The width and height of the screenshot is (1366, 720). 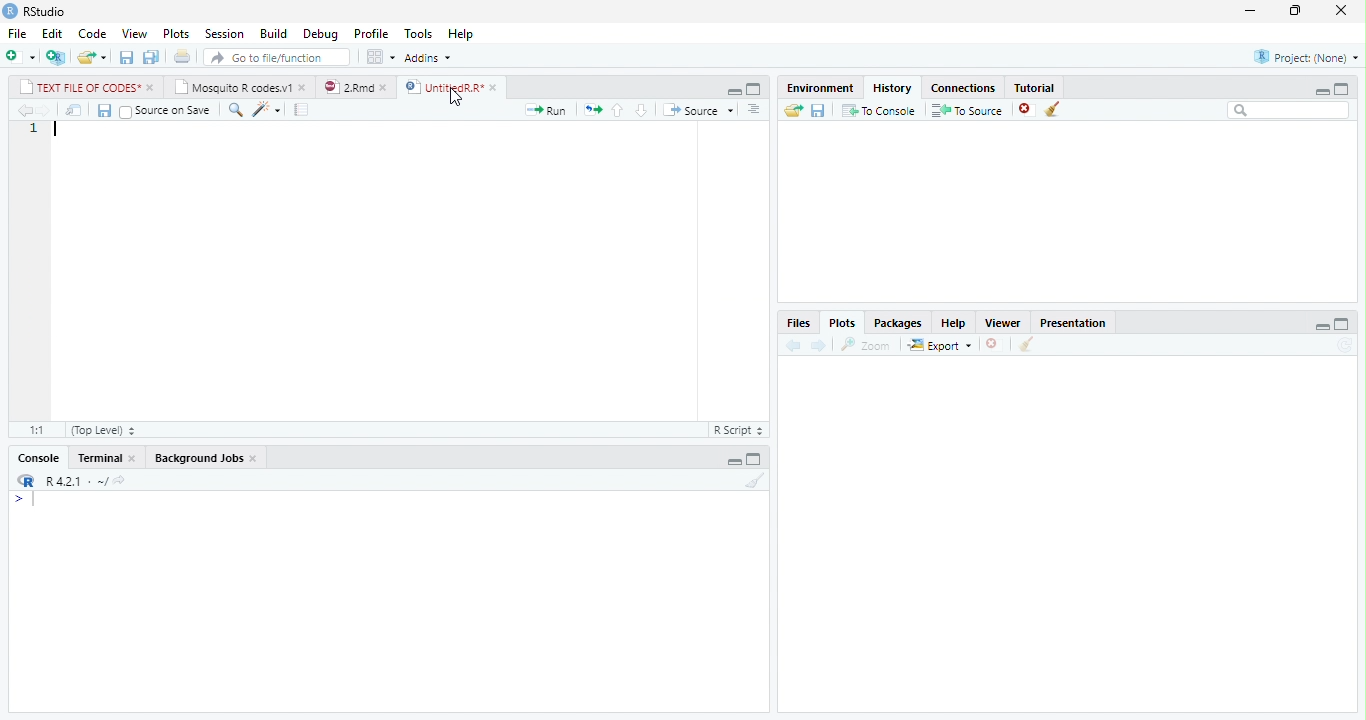 What do you see at coordinates (966, 110) in the screenshot?
I see `To Source` at bounding box center [966, 110].